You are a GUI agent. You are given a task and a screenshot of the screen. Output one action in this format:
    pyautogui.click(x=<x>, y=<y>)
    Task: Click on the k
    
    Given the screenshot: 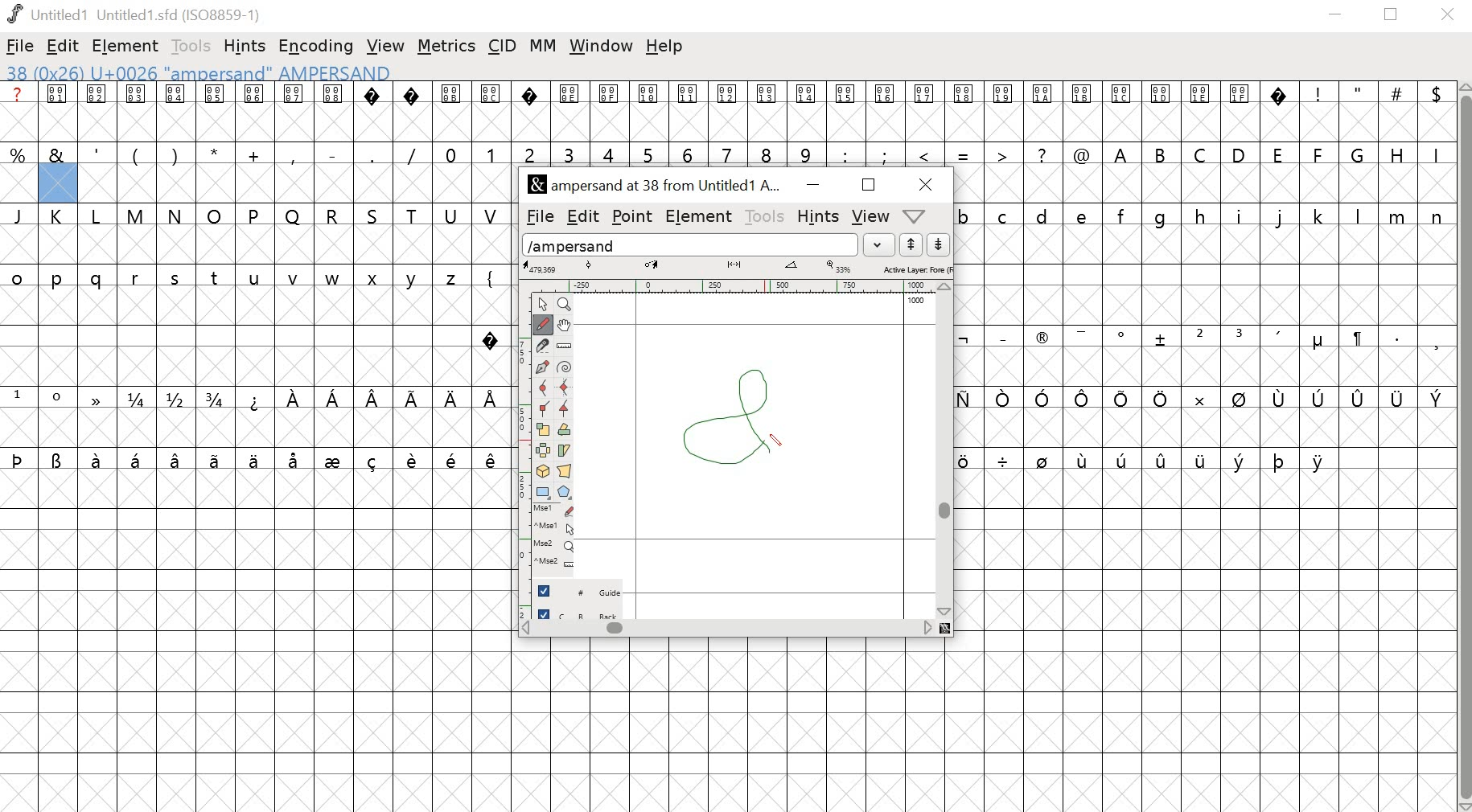 What is the action you would take?
    pyautogui.click(x=1318, y=215)
    